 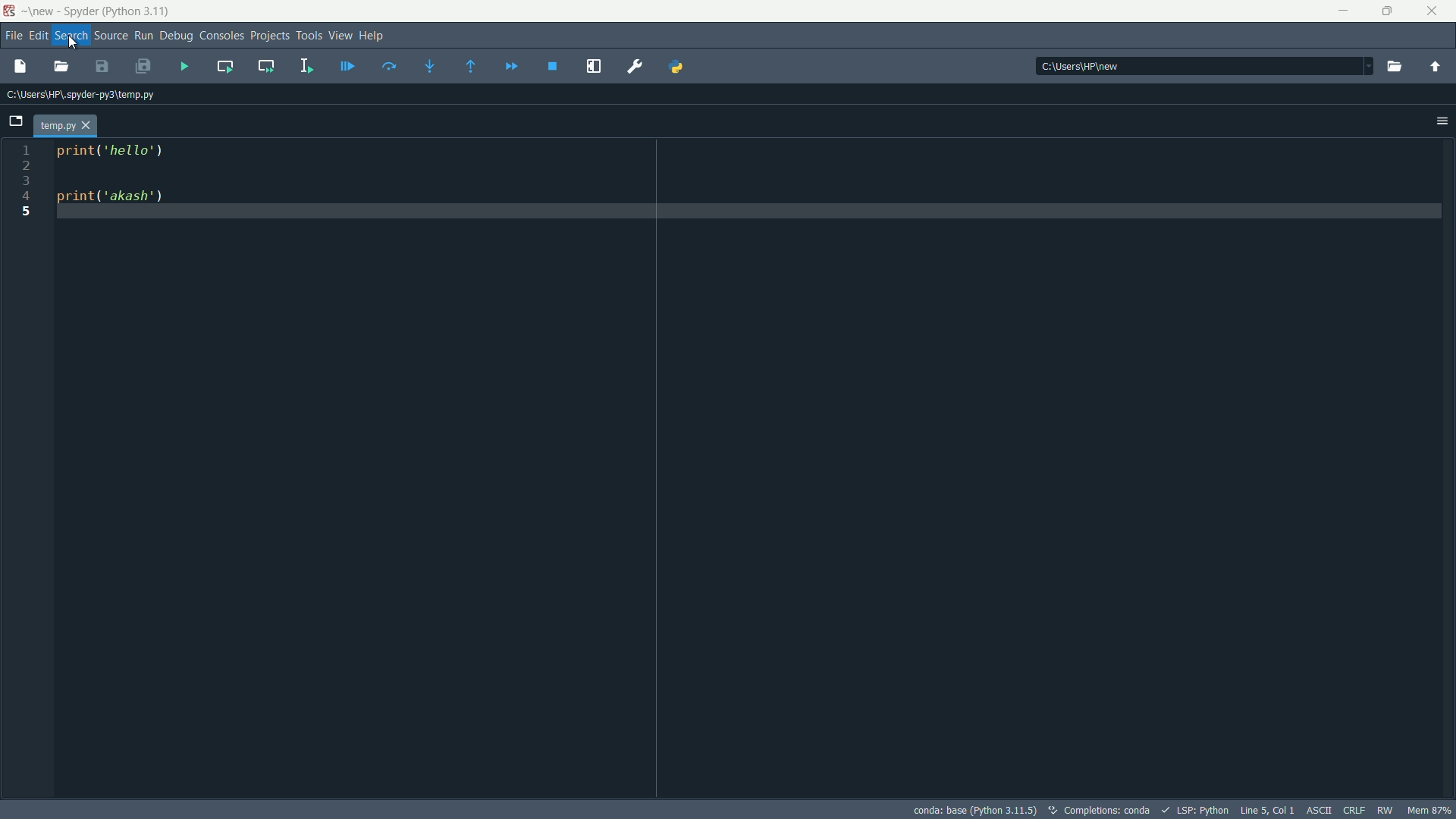 I want to click on pythonpath manager, so click(x=676, y=68).